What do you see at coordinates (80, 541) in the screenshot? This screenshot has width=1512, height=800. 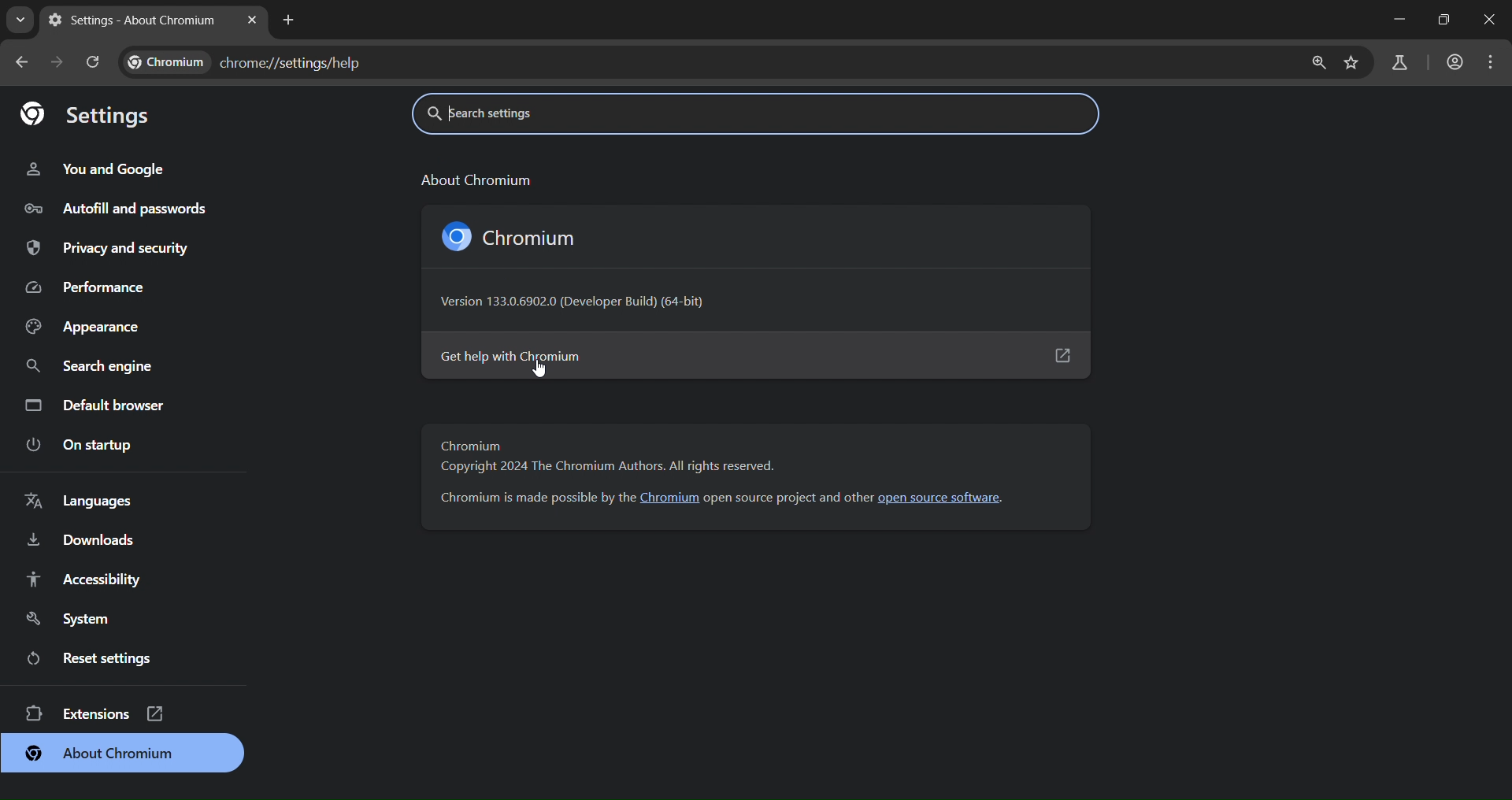 I see `downloads` at bounding box center [80, 541].